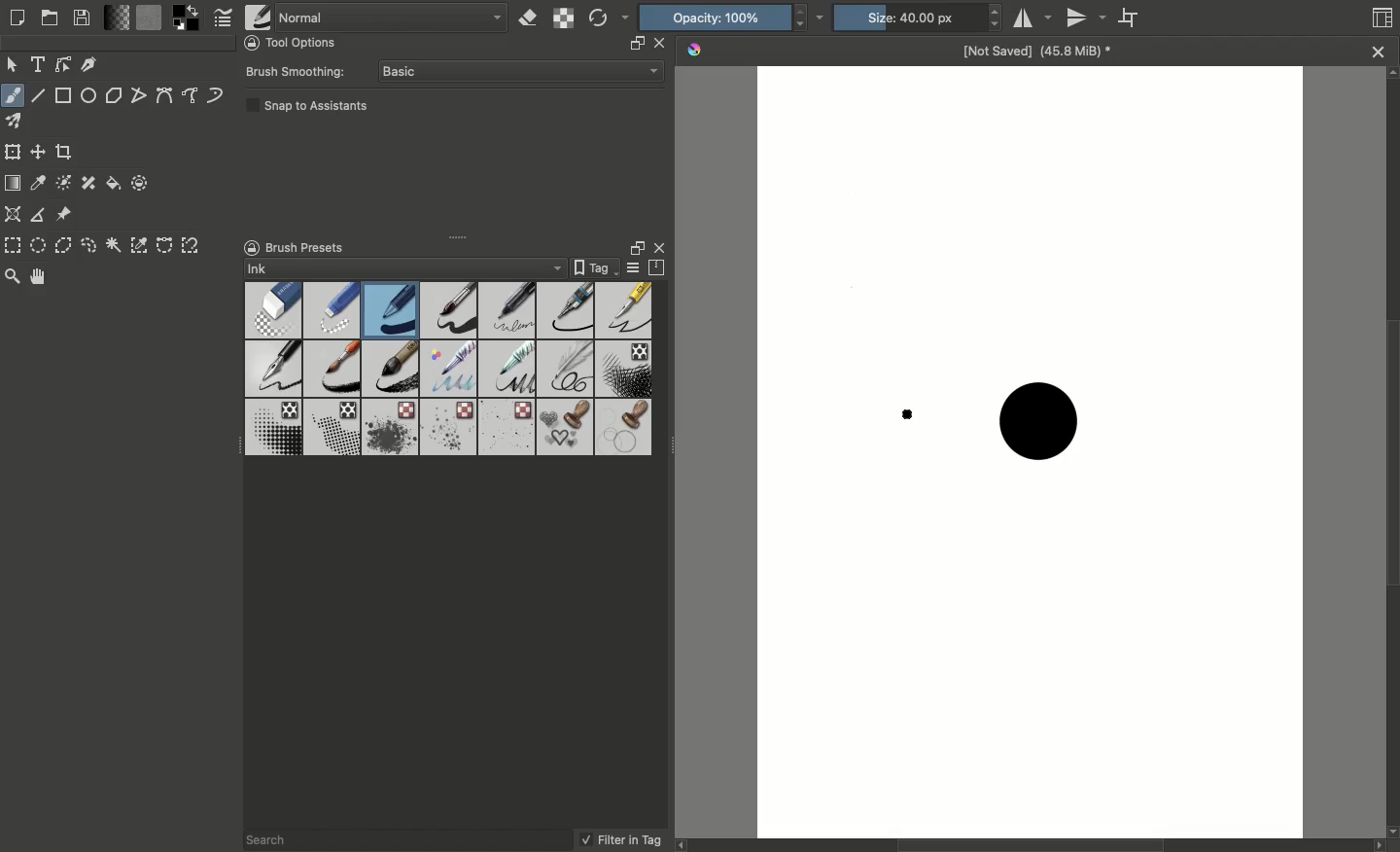 This screenshot has width=1400, height=852. What do you see at coordinates (38, 245) in the screenshot?
I see `Elliptical selection tool` at bounding box center [38, 245].